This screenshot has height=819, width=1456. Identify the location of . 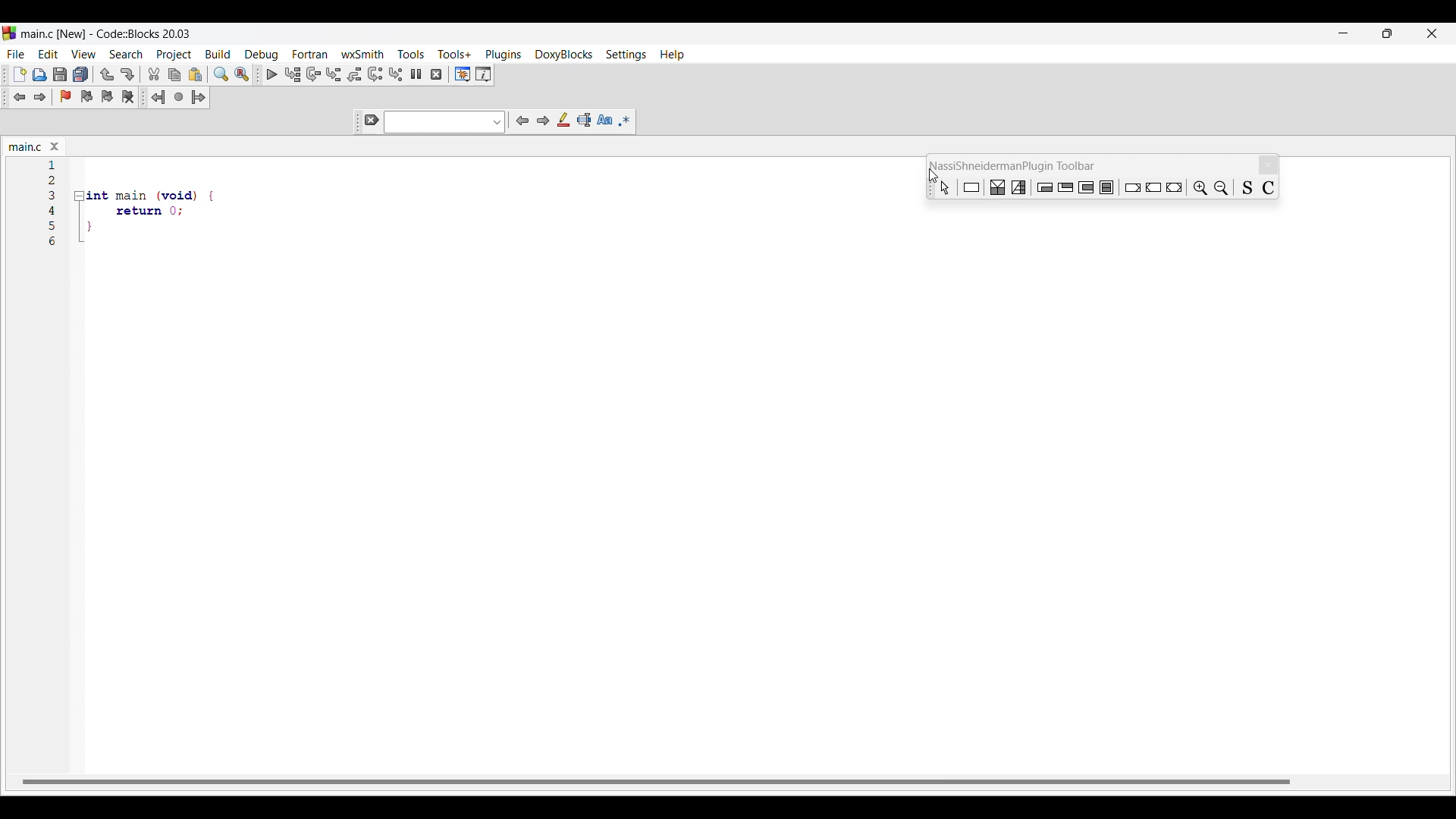
(1200, 187).